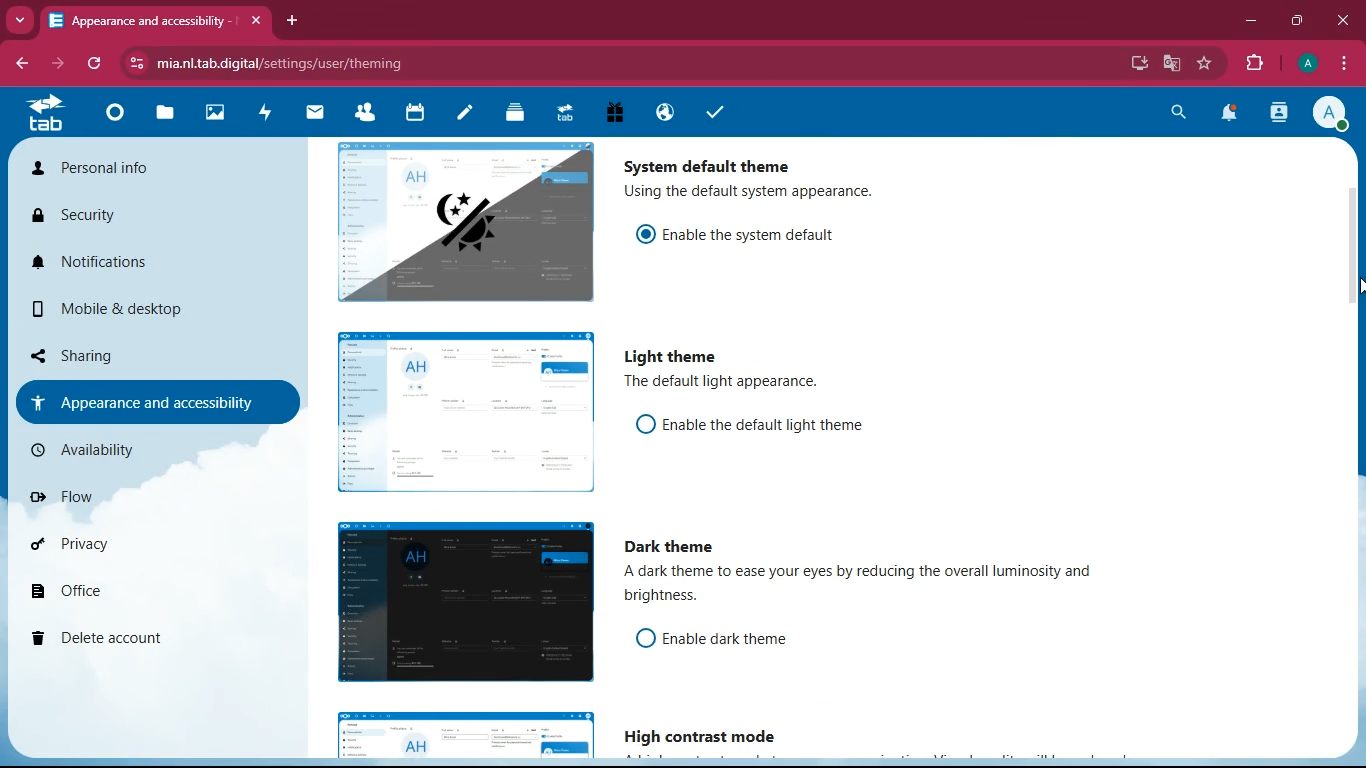 Image resolution: width=1366 pixels, height=768 pixels. What do you see at coordinates (662, 112) in the screenshot?
I see `public` at bounding box center [662, 112].